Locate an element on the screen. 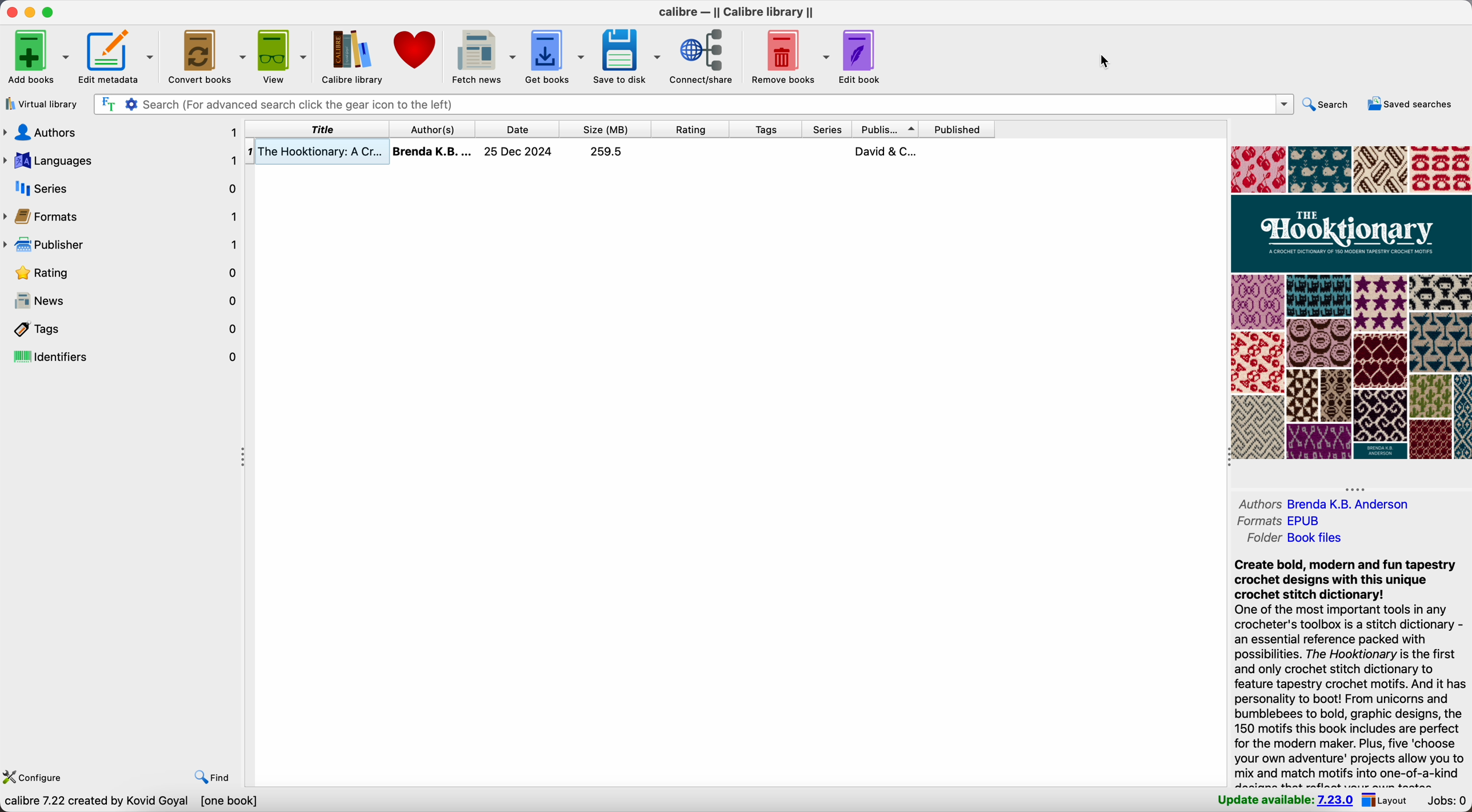 The width and height of the screenshot is (1472, 812). folder is located at coordinates (1294, 538).